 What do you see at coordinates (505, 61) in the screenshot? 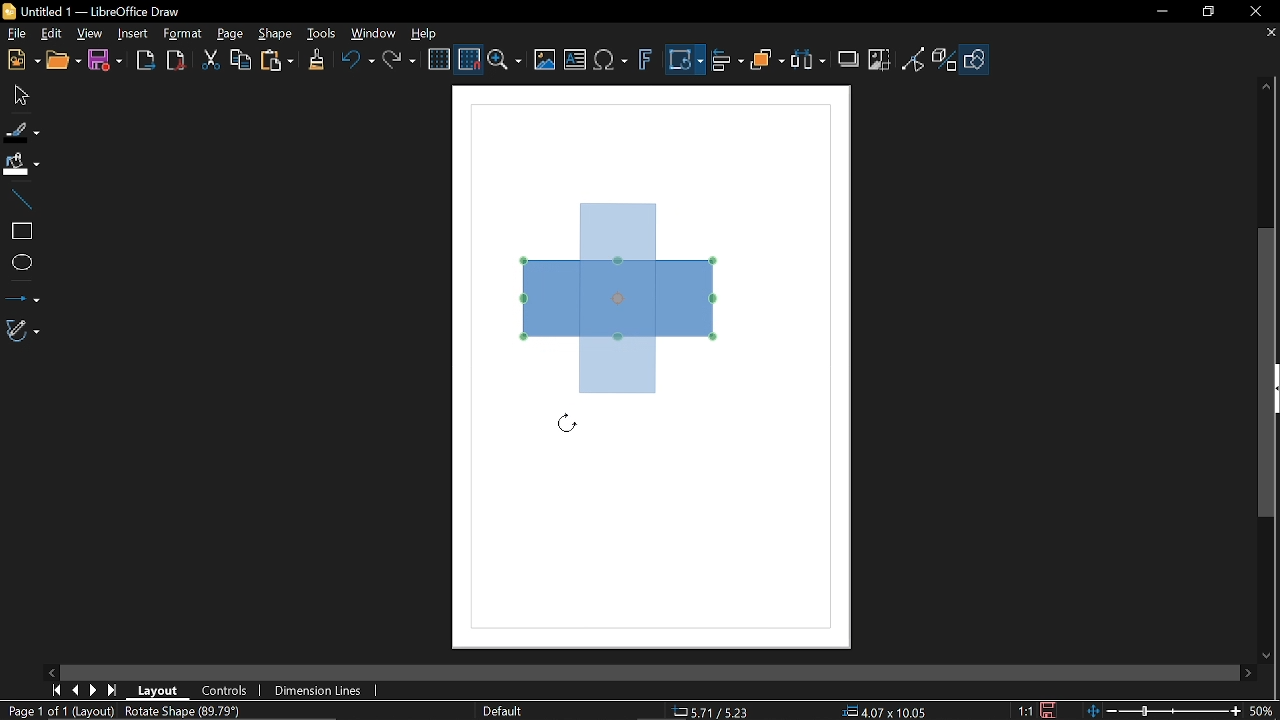
I see `Zoom` at bounding box center [505, 61].